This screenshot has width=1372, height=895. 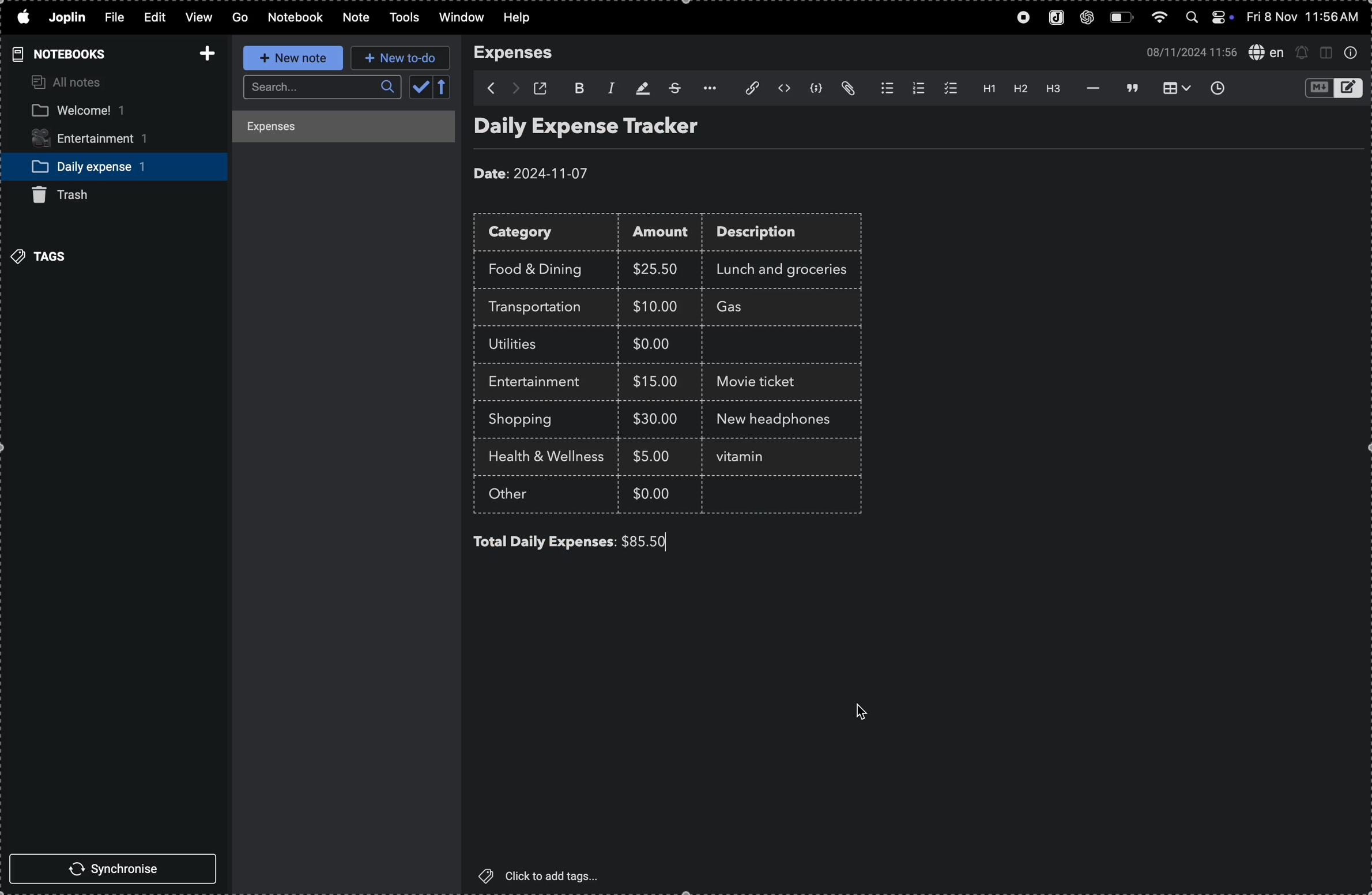 What do you see at coordinates (1208, 18) in the screenshot?
I see `apple widgets` at bounding box center [1208, 18].